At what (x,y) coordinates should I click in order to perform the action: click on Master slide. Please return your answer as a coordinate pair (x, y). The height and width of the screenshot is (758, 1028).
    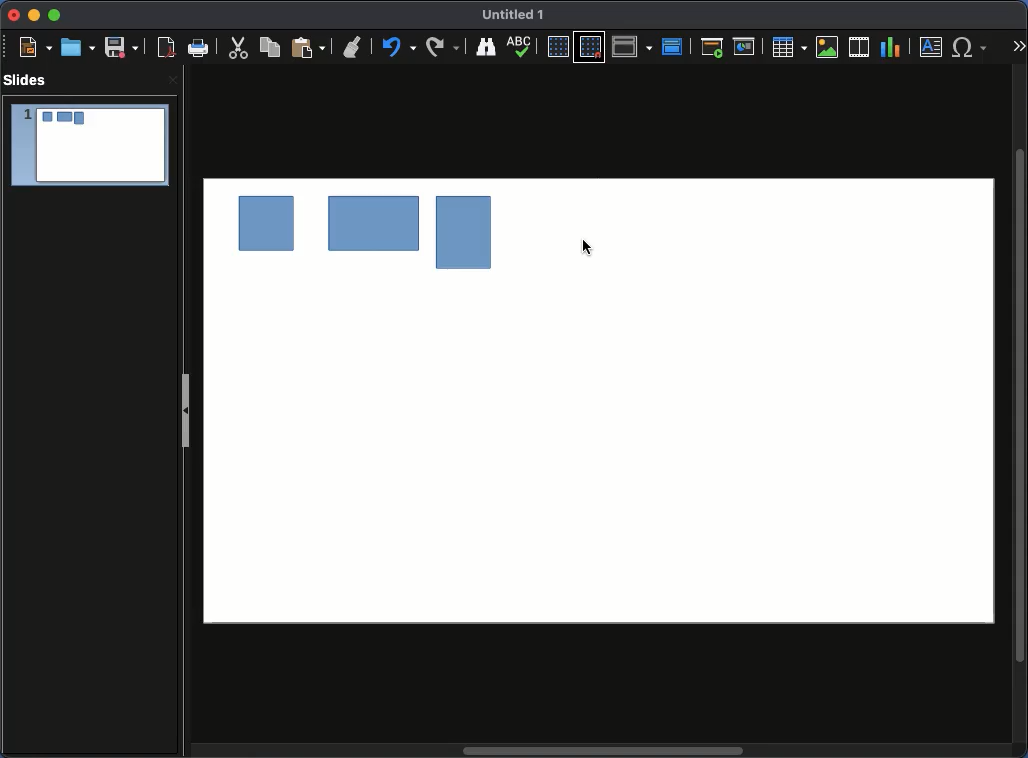
    Looking at the image, I should click on (673, 46).